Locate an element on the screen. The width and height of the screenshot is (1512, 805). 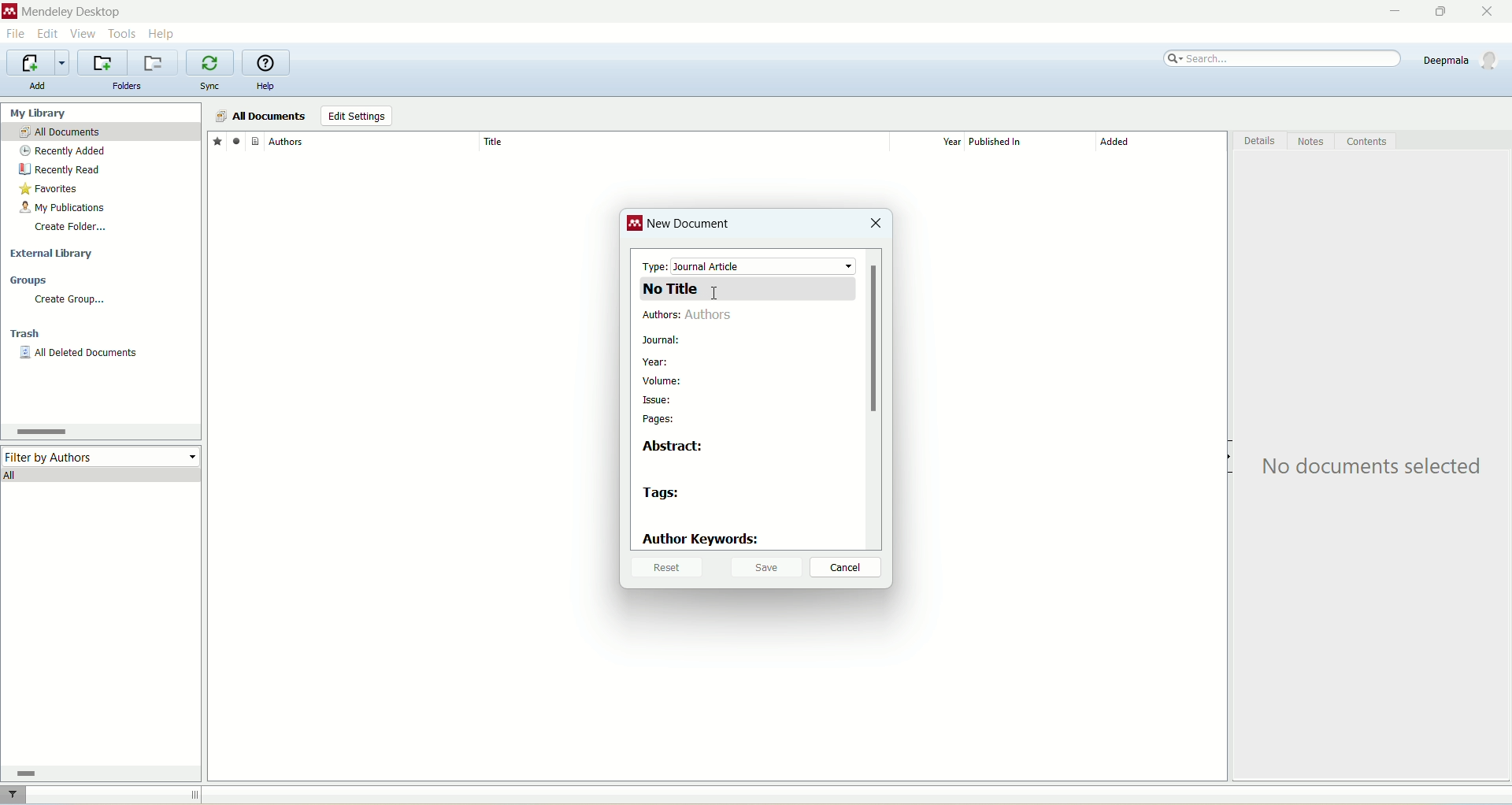
new document is located at coordinates (691, 227).